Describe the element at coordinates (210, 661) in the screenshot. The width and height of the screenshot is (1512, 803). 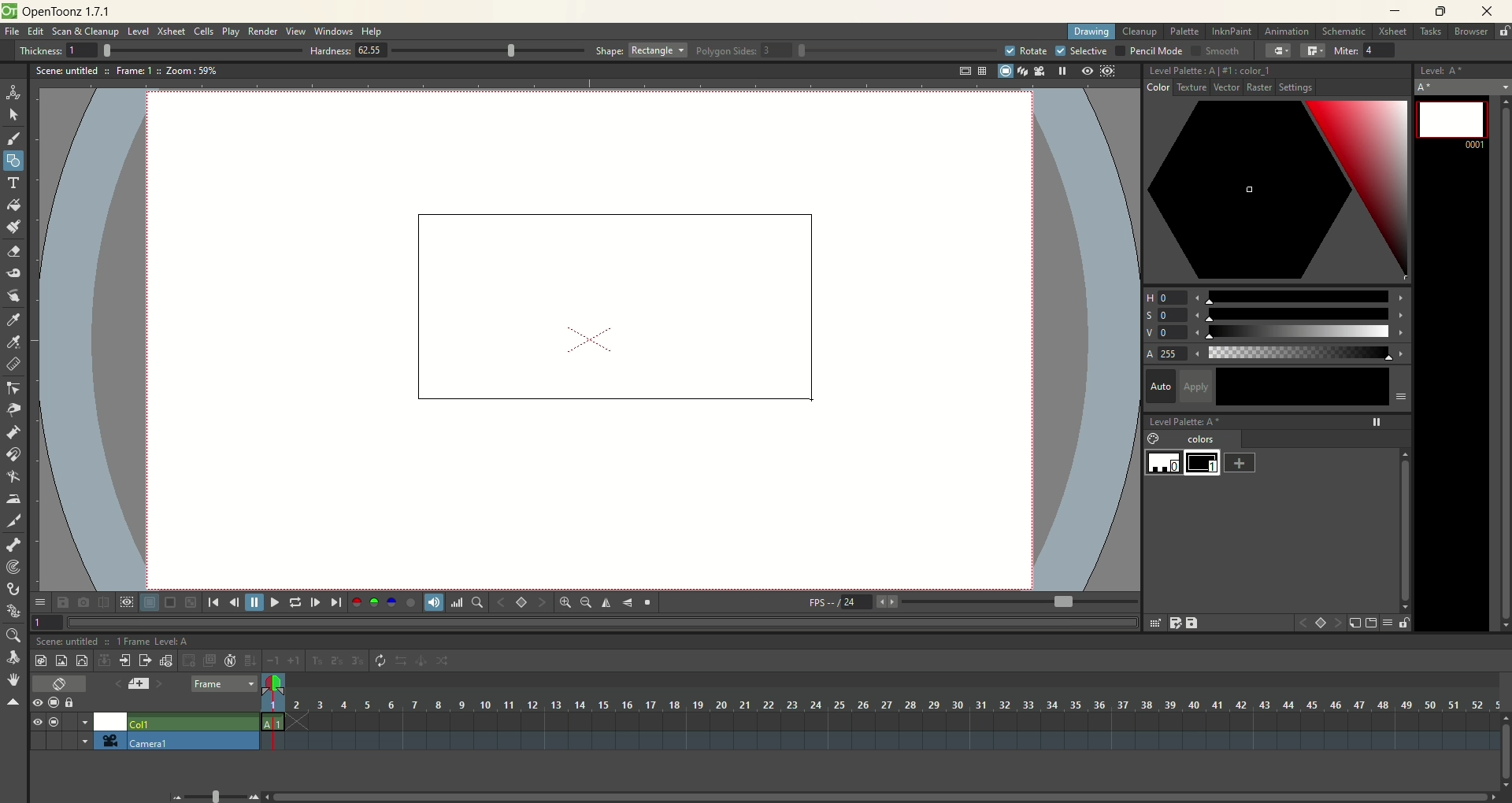
I see `duplicate drawing` at that location.